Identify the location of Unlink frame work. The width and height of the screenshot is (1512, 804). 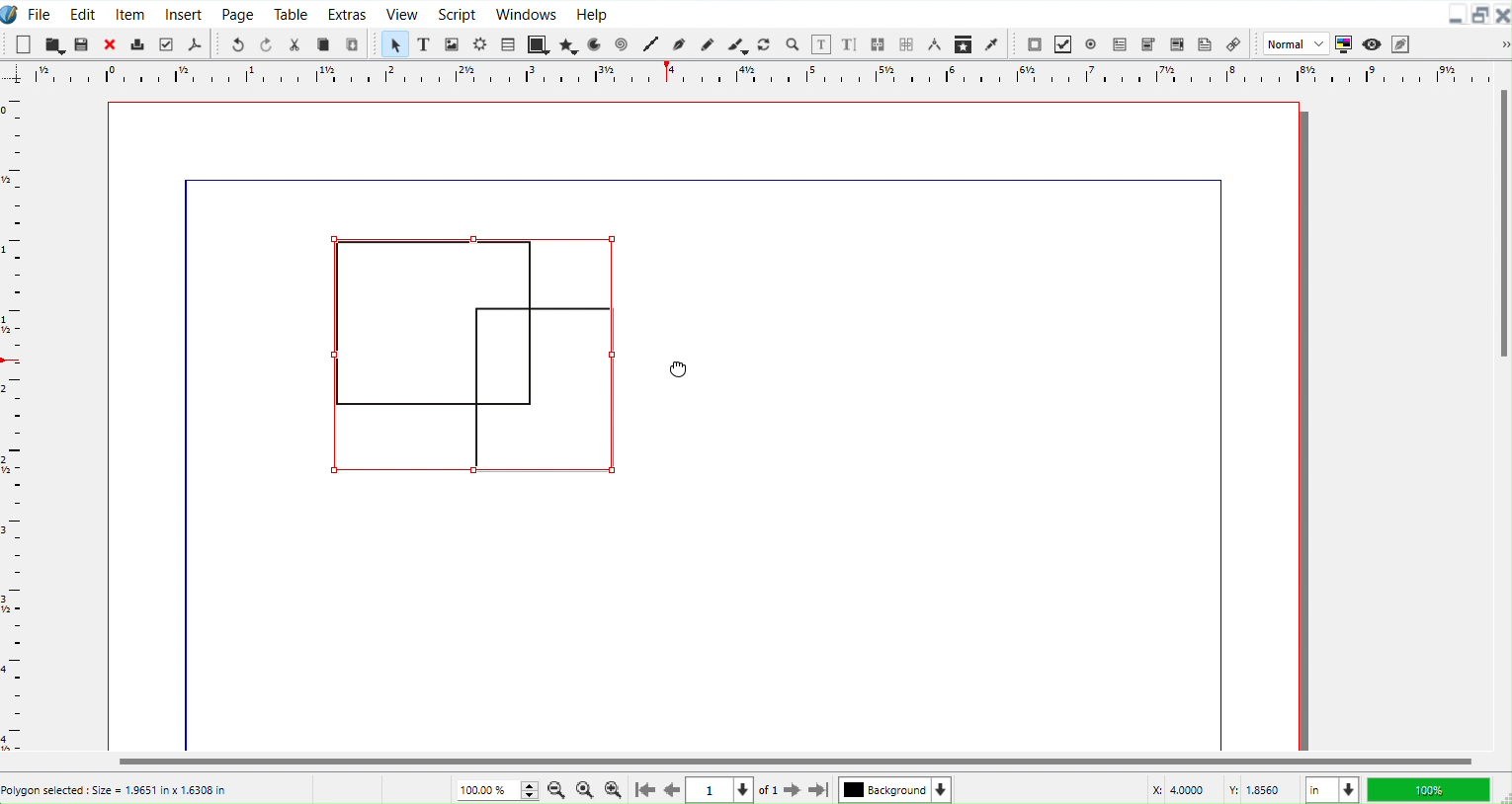
(908, 45).